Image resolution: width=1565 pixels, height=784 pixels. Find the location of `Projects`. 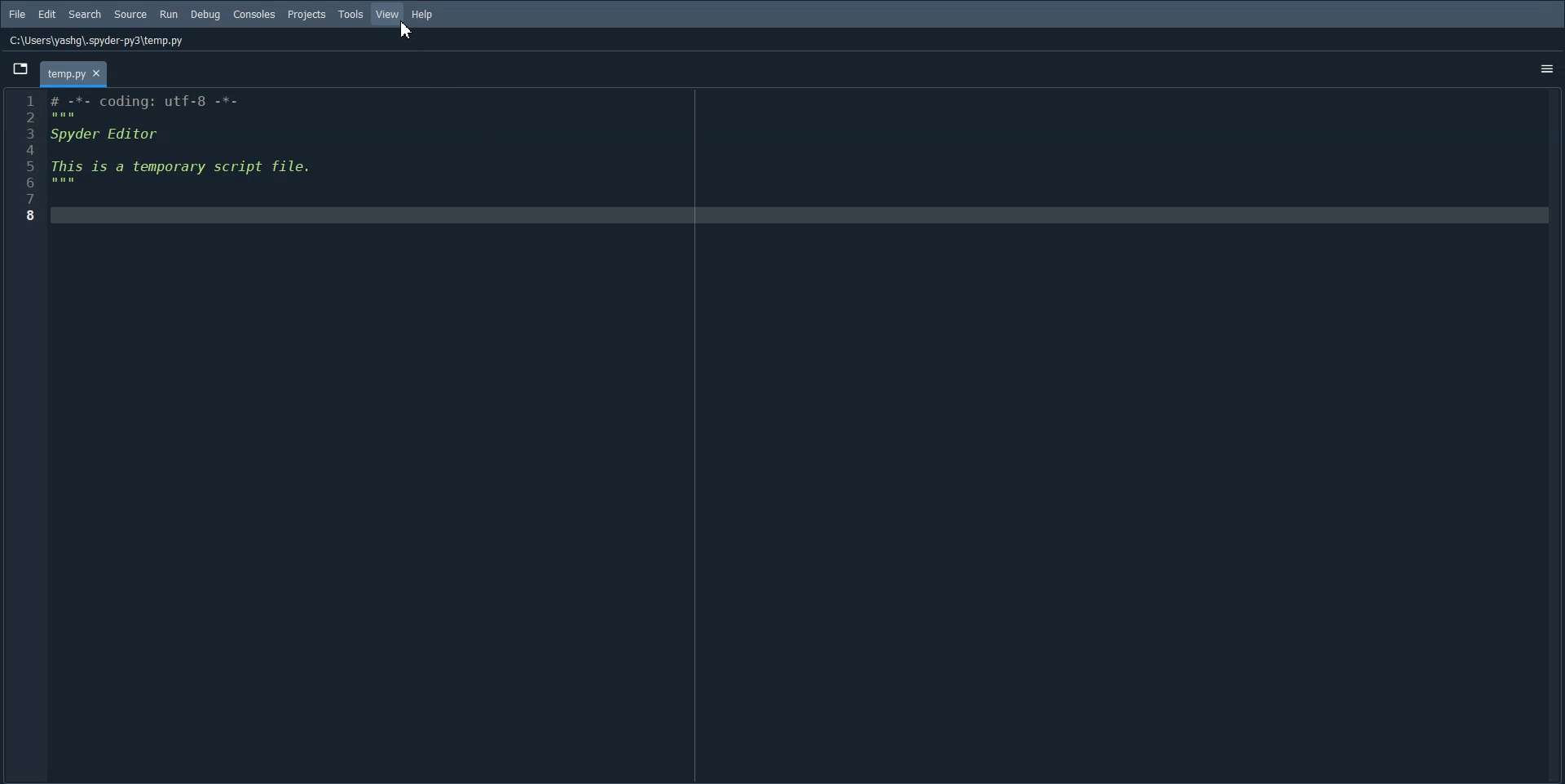

Projects is located at coordinates (307, 15).